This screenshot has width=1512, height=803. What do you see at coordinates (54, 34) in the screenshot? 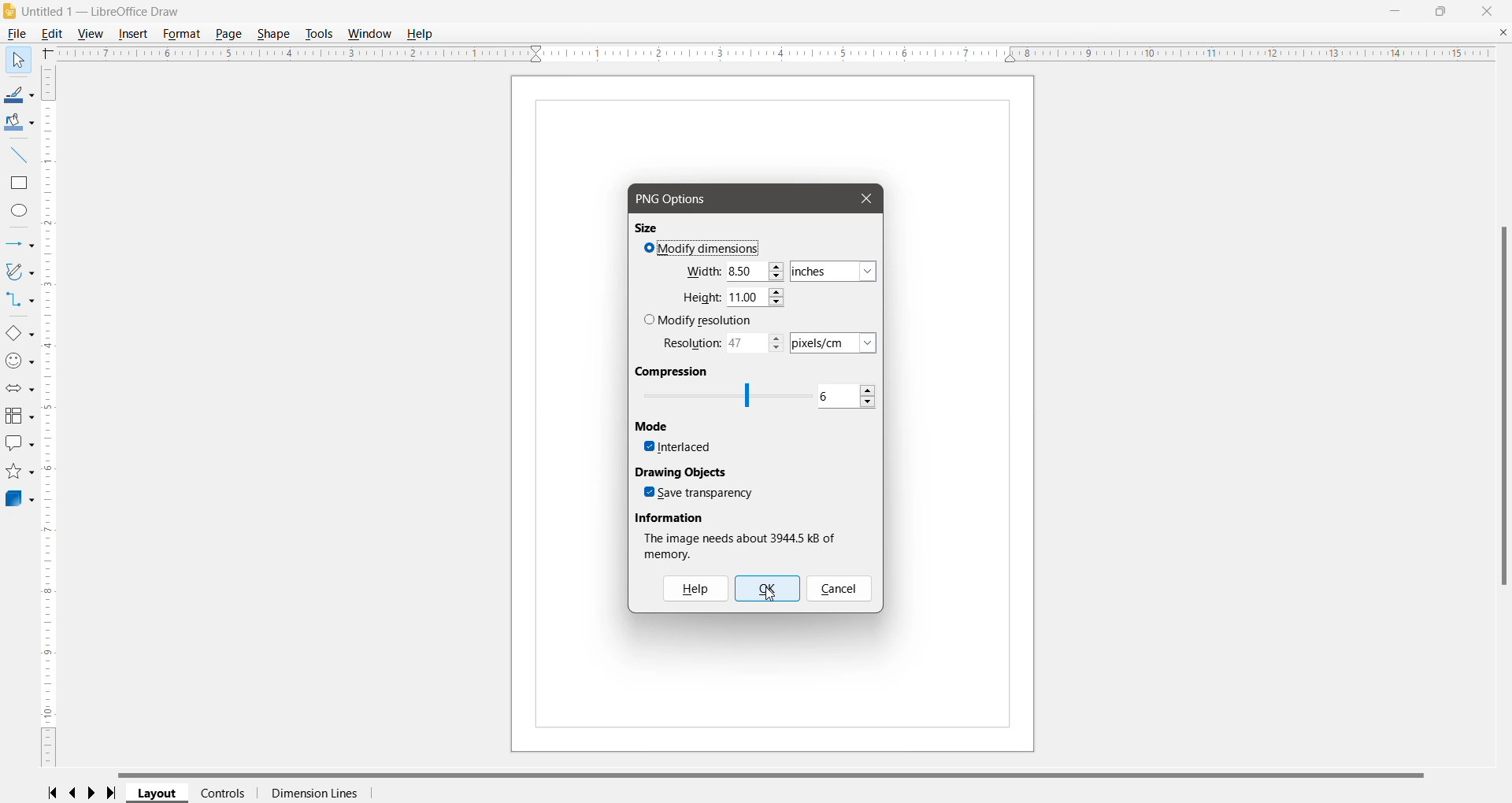
I see `Edit` at bounding box center [54, 34].